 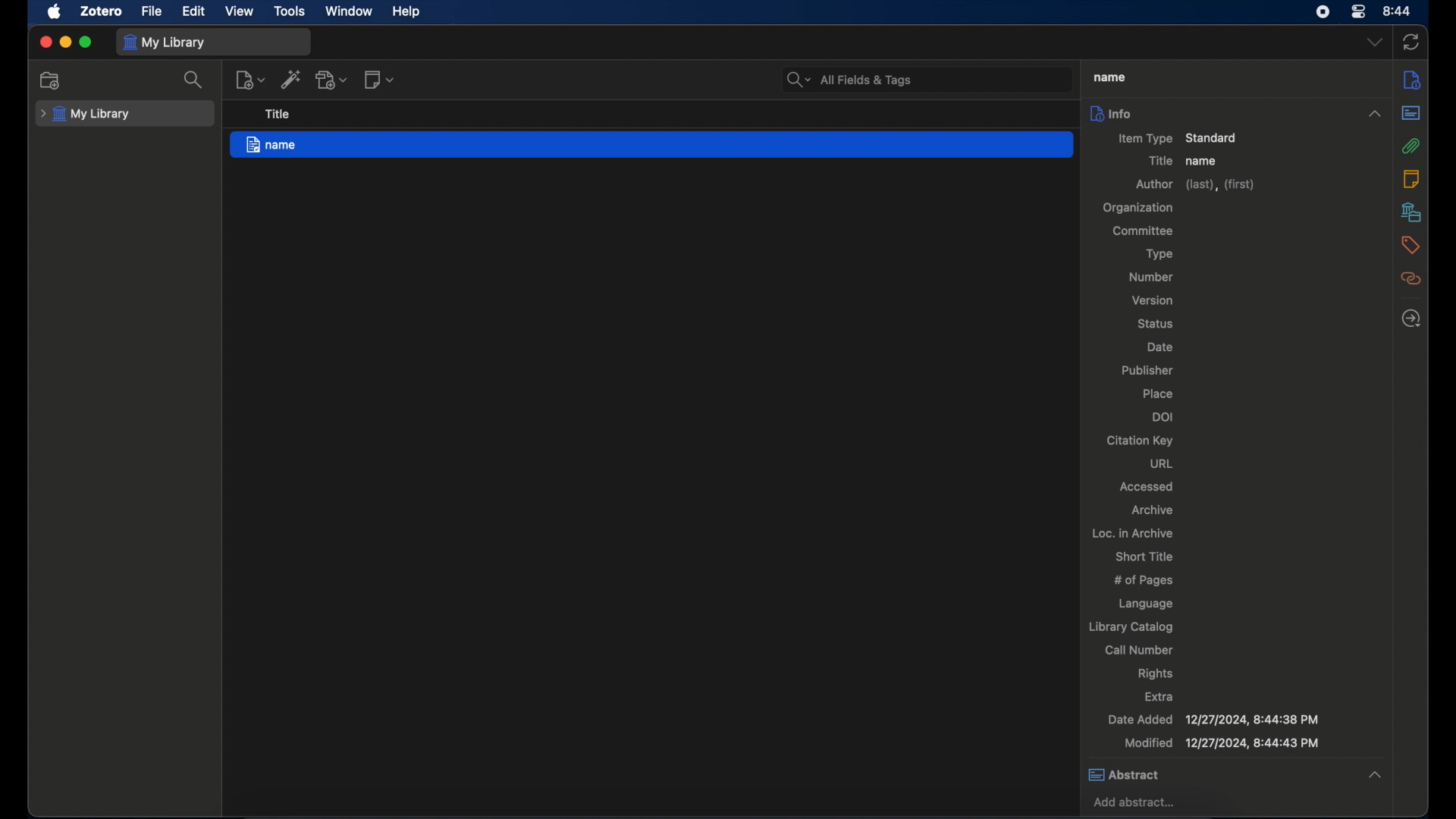 What do you see at coordinates (278, 115) in the screenshot?
I see `title` at bounding box center [278, 115].